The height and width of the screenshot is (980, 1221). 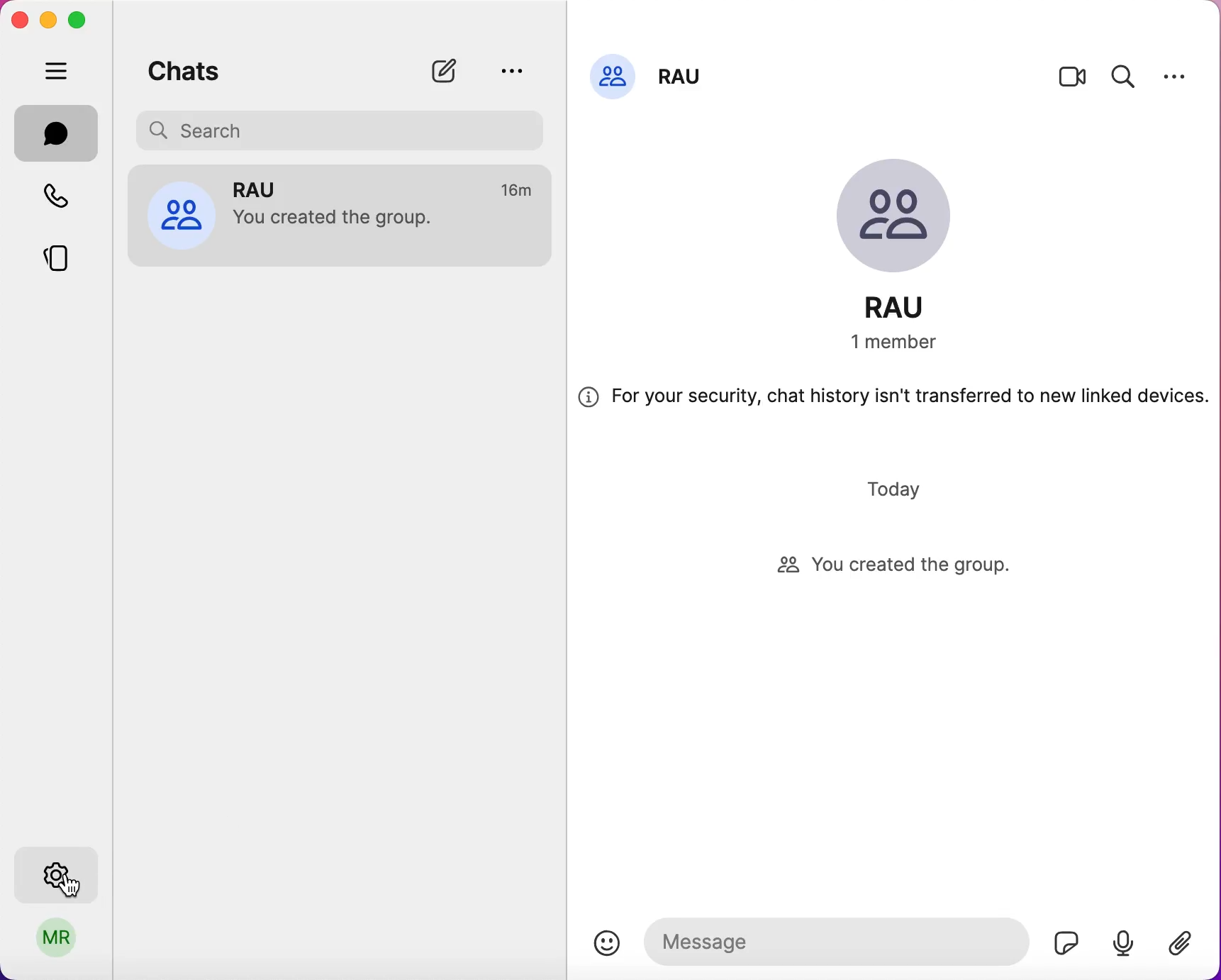 What do you see at coordinates (267, 188) in the screenshot?
I see `group ` at bounding box center [267, 188].